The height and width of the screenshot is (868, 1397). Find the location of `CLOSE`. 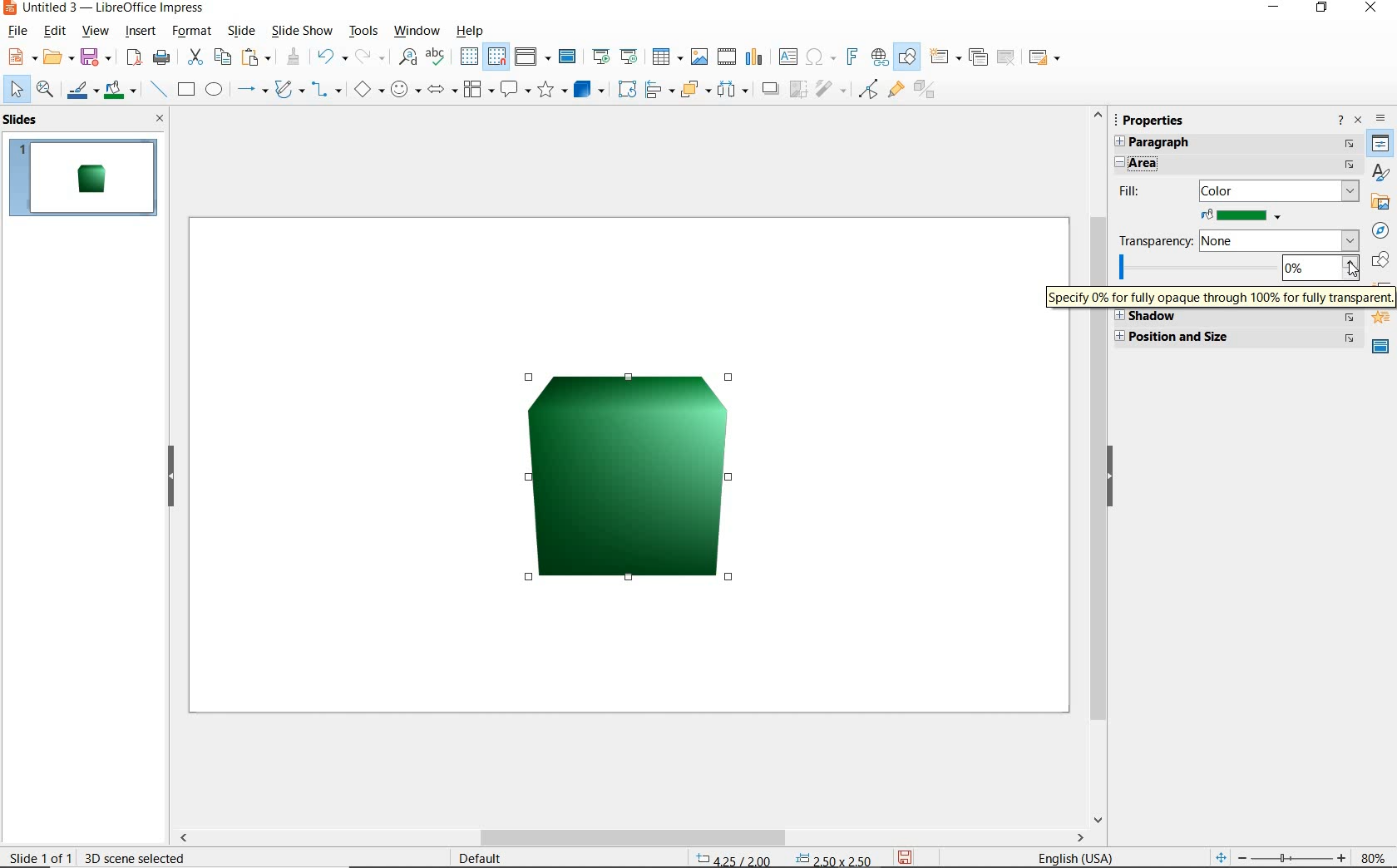

CLOSE is located at coordinates (161, 120).